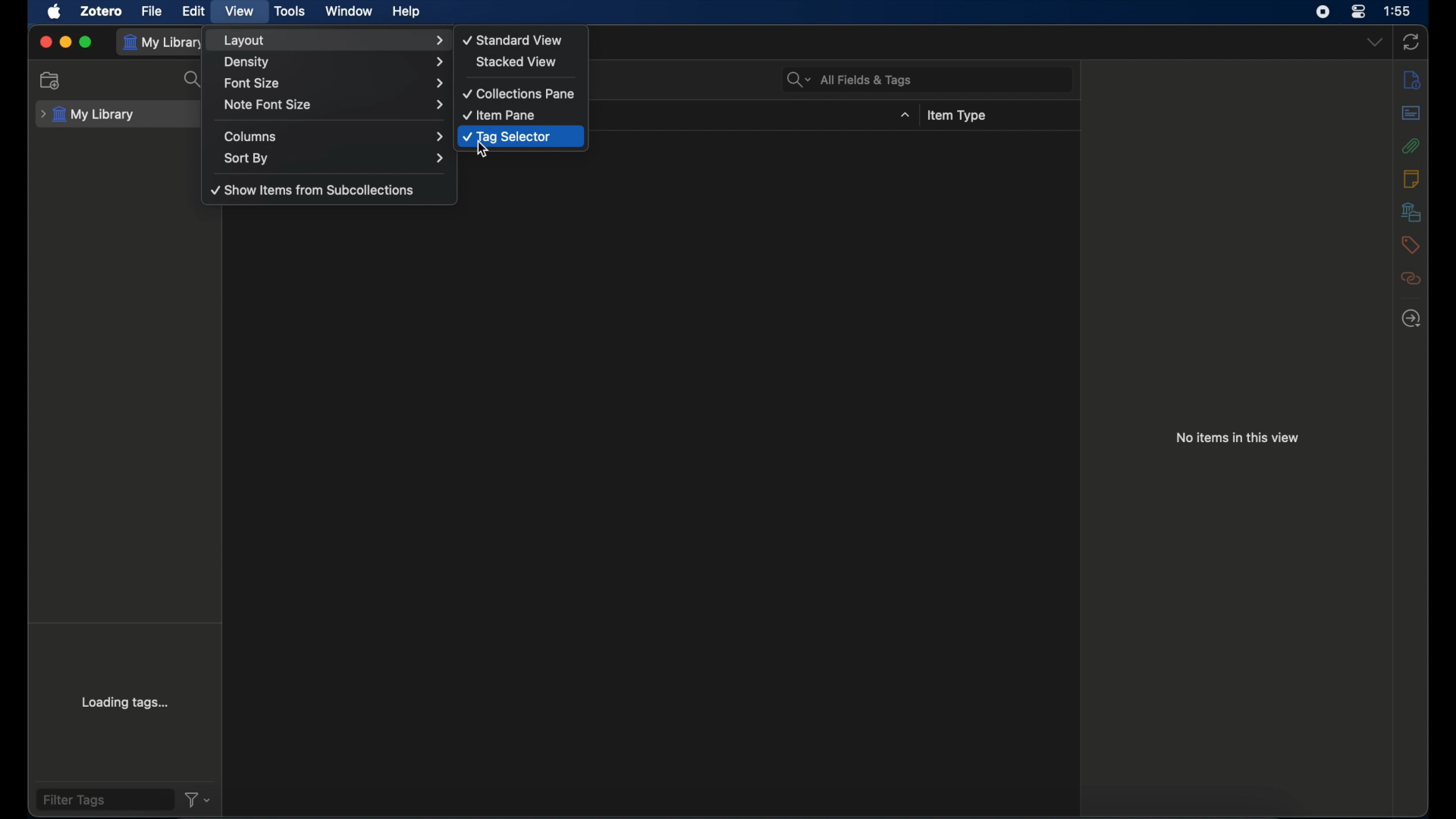 The width and height of the screenshot is (1456, 819). What do you see at coordinates (1411, 79) in the screenshot?
I see `info` at bounding box center [1411, 79].